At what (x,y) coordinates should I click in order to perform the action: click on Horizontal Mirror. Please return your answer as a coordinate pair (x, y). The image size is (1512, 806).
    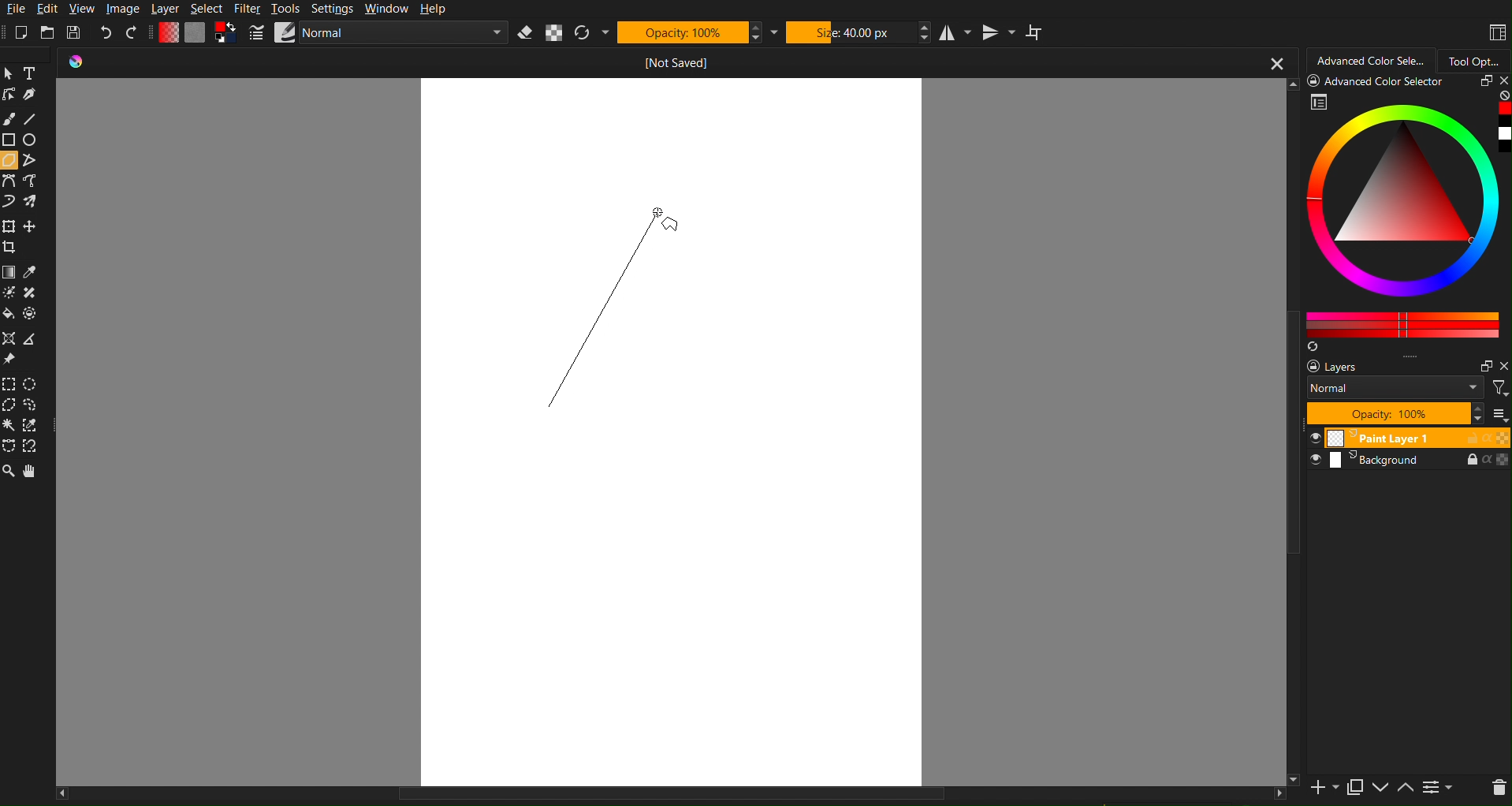
    Looking at the image, I should click on (956, 32).